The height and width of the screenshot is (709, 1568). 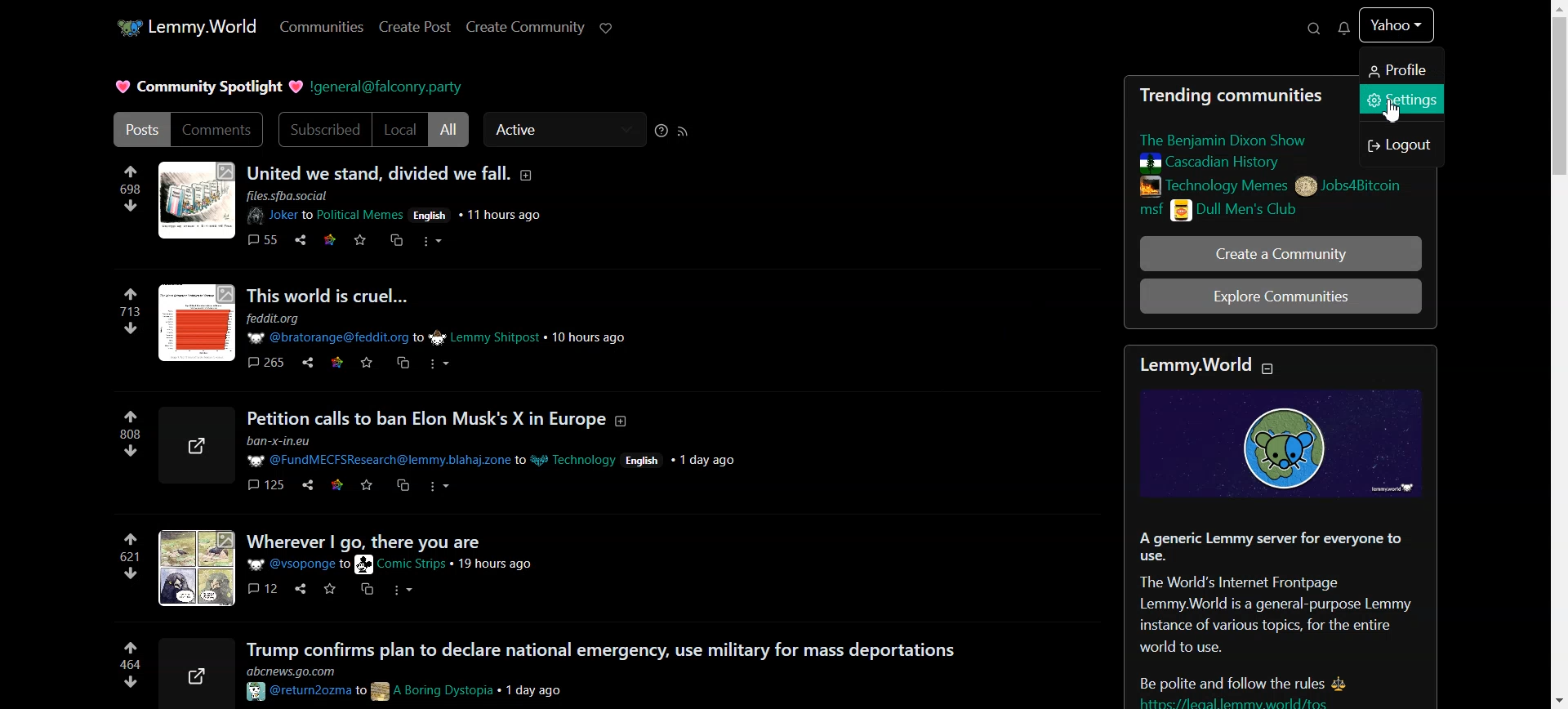 What do you see at coordinates (125, 662) in the screenshot?
I see `464` at bounding box center [125, 662].